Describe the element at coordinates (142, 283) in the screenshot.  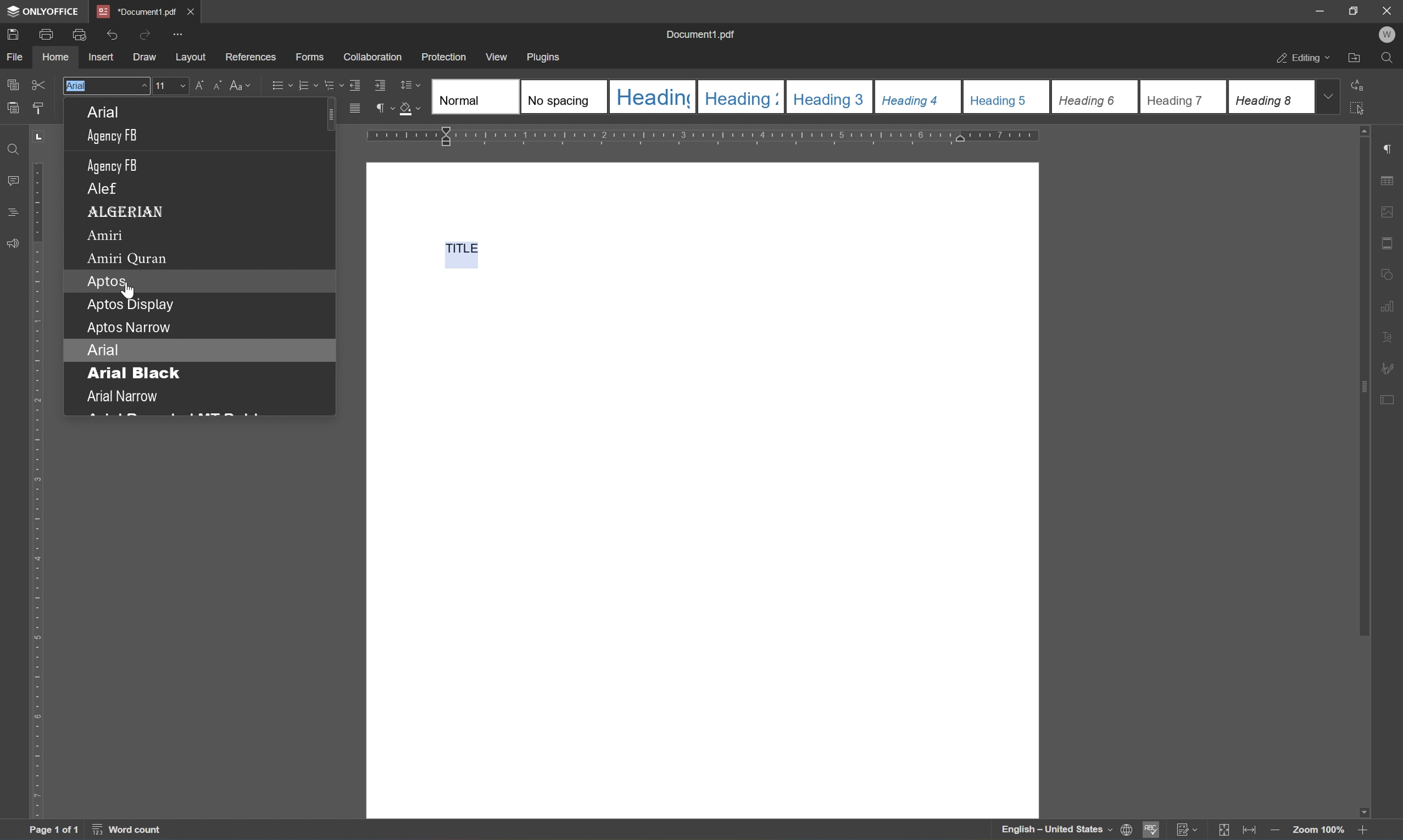
I see `Aptos` at that location.